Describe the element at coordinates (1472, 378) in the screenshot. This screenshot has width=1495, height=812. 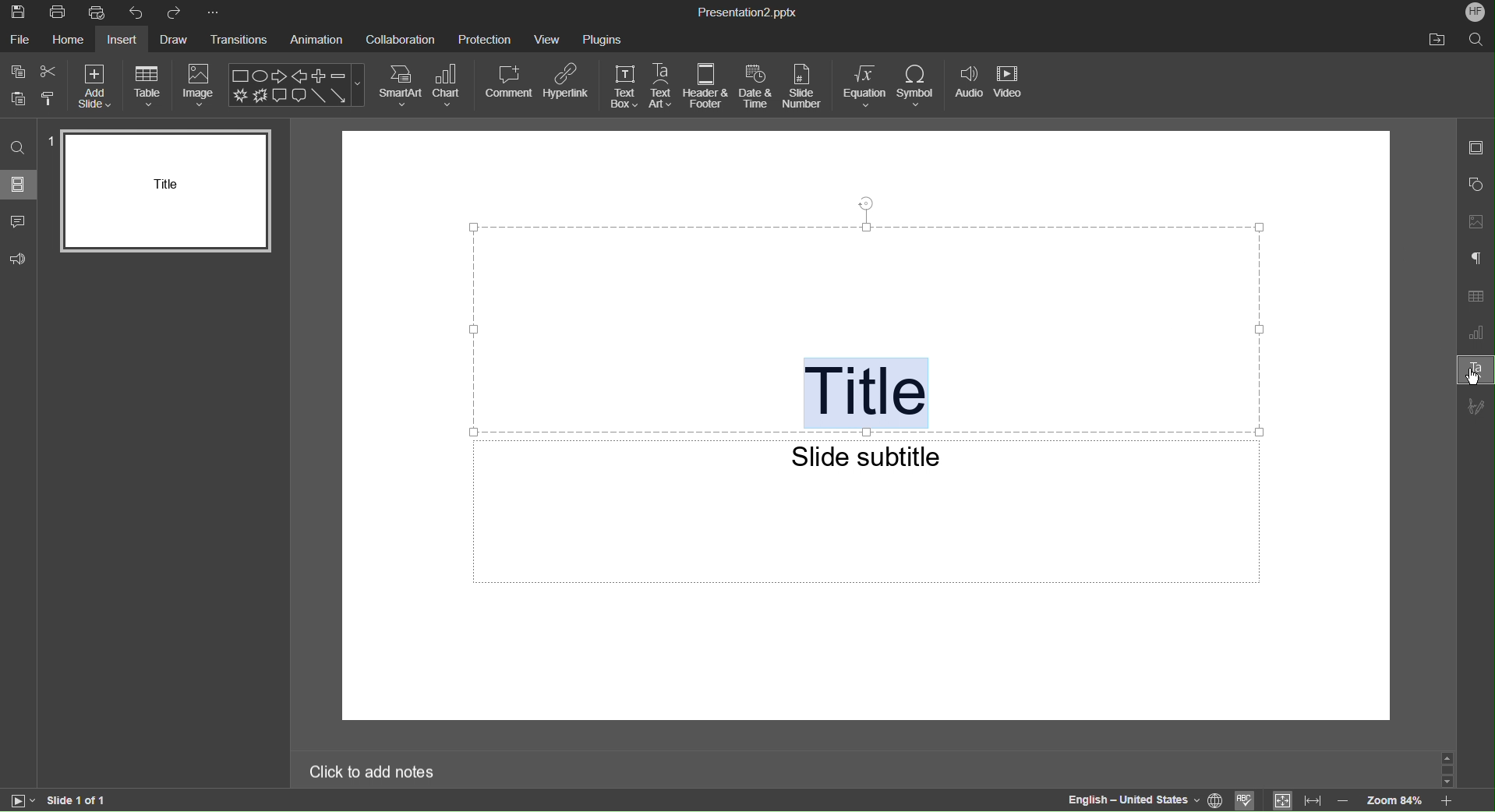
I see `mouse pointer` at that location.